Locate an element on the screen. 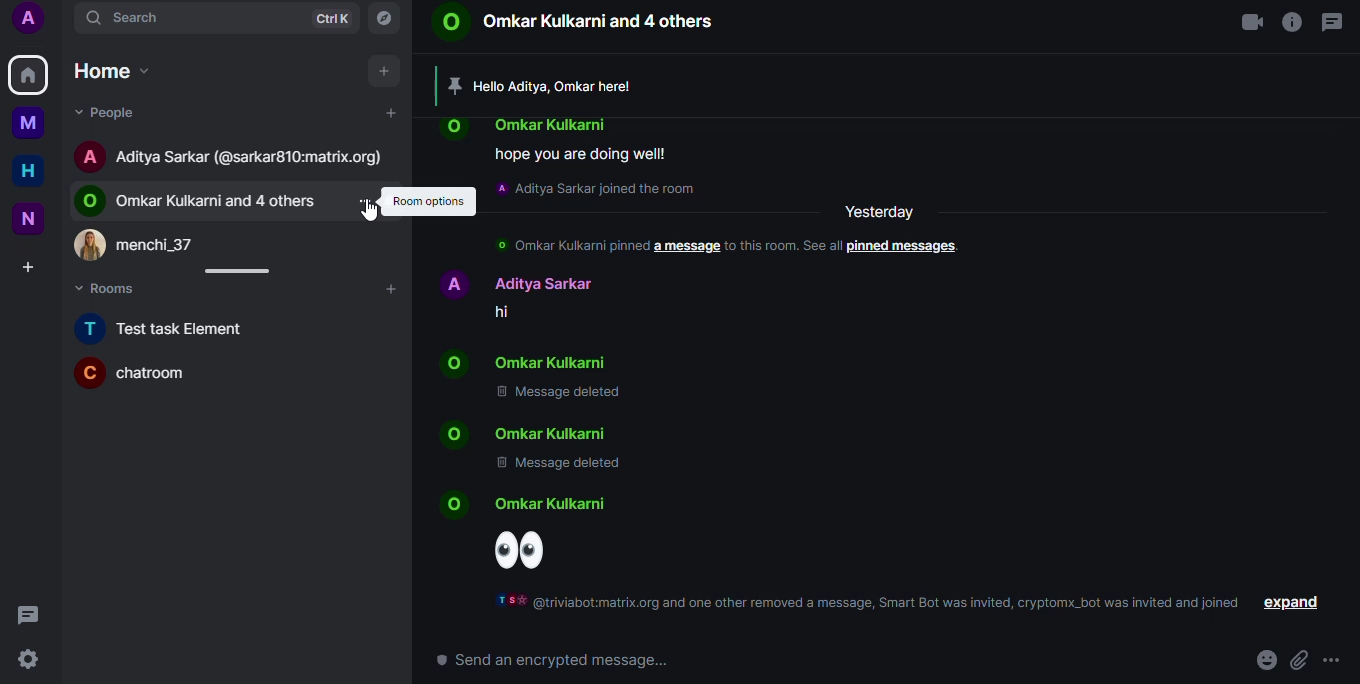 Image resolution: width=1360 pixels, height=684 pixels. home is located at coordinates (28, 75).